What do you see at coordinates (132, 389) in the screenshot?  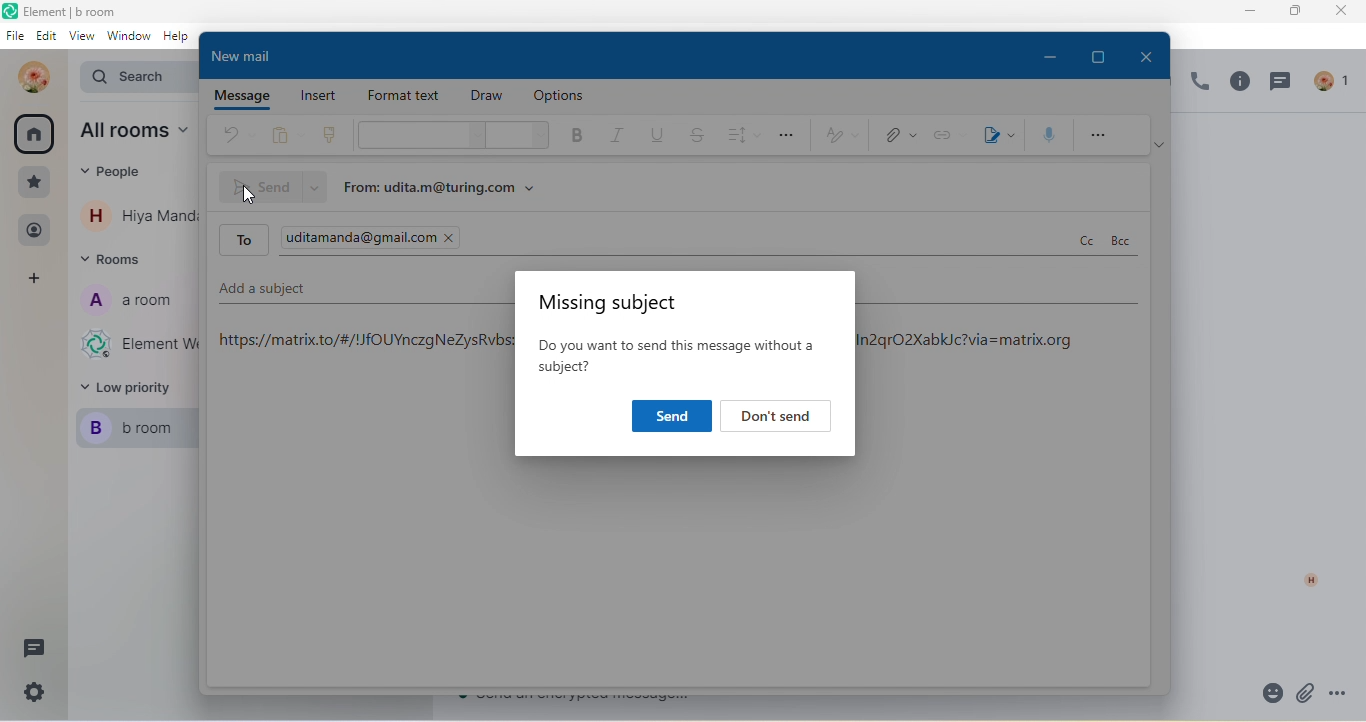 I see `low priority` at bounding box center [132, 389].